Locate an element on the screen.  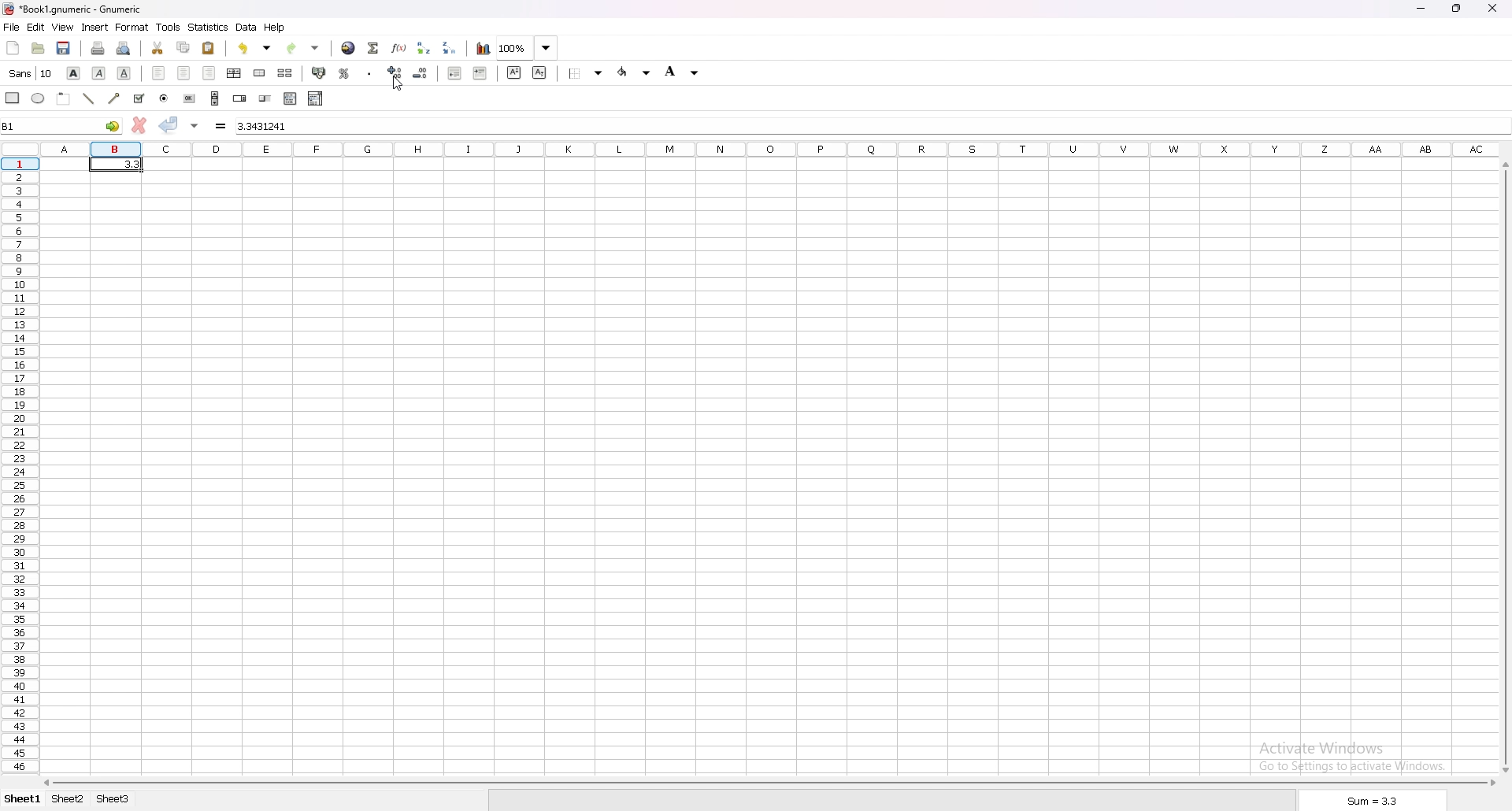
close is located at coordinates (1492, 8).